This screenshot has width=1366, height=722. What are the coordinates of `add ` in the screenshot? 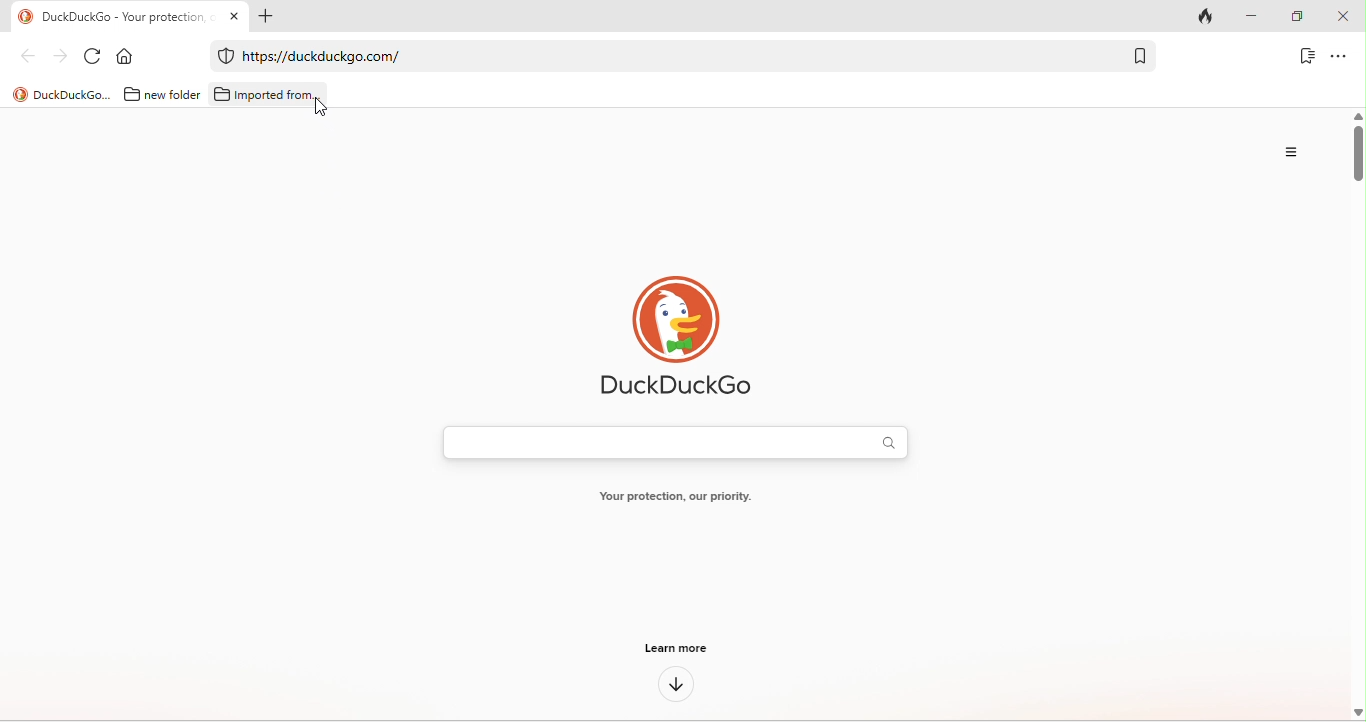 It's located at (271, 17).